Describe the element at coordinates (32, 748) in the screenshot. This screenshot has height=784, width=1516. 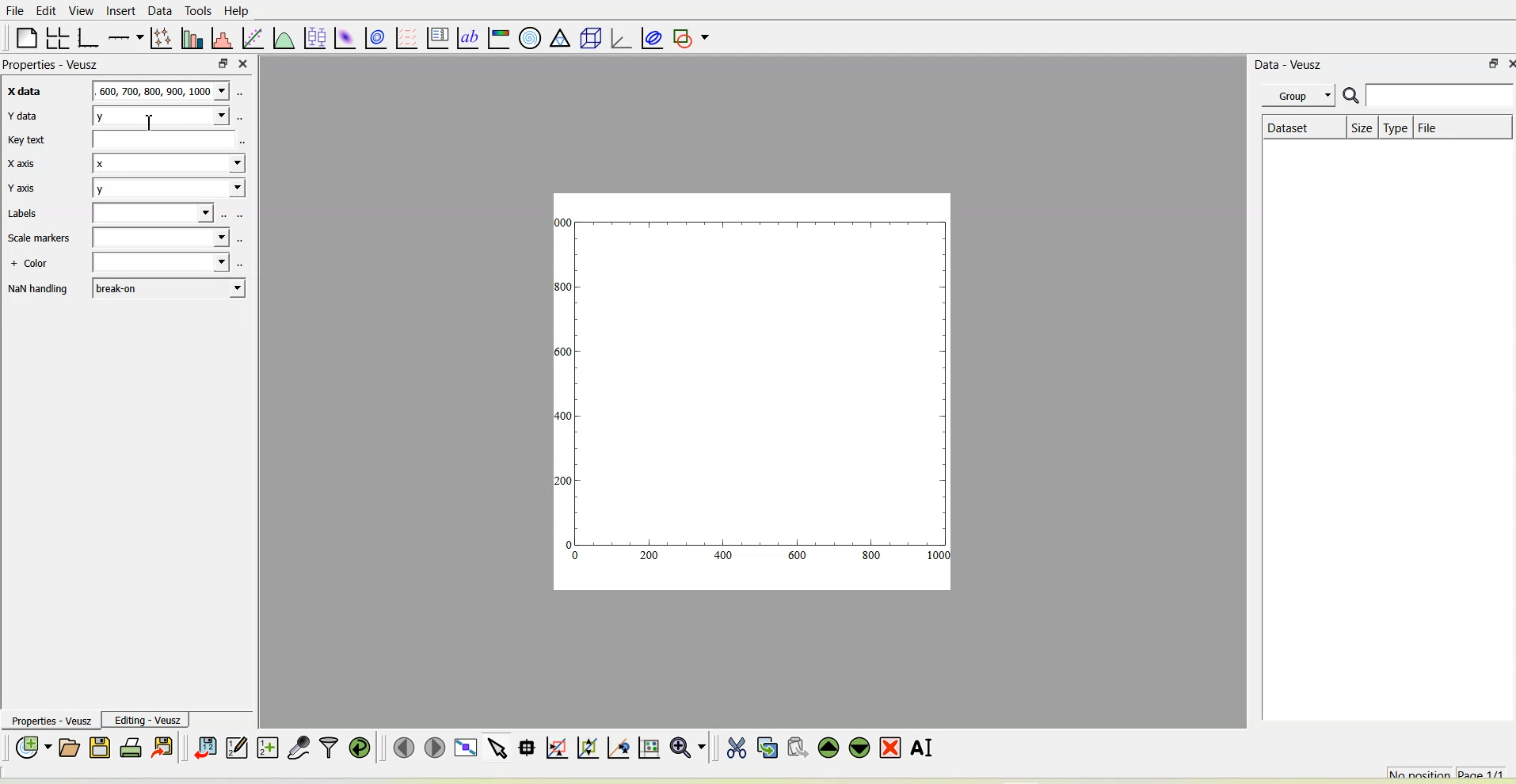
I see `New document` at that location.